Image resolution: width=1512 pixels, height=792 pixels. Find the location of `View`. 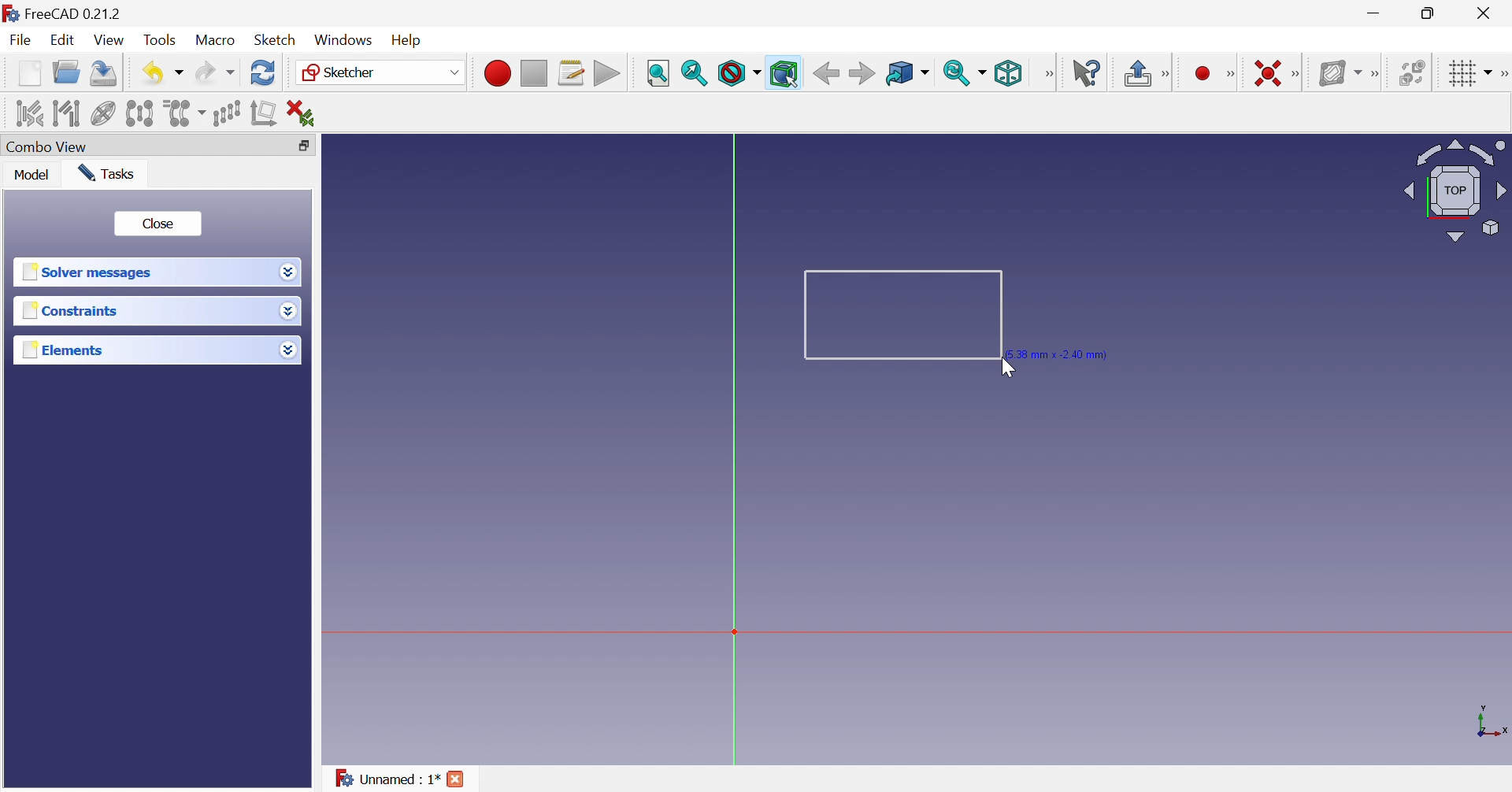

View is located at coordinates (108, 41).